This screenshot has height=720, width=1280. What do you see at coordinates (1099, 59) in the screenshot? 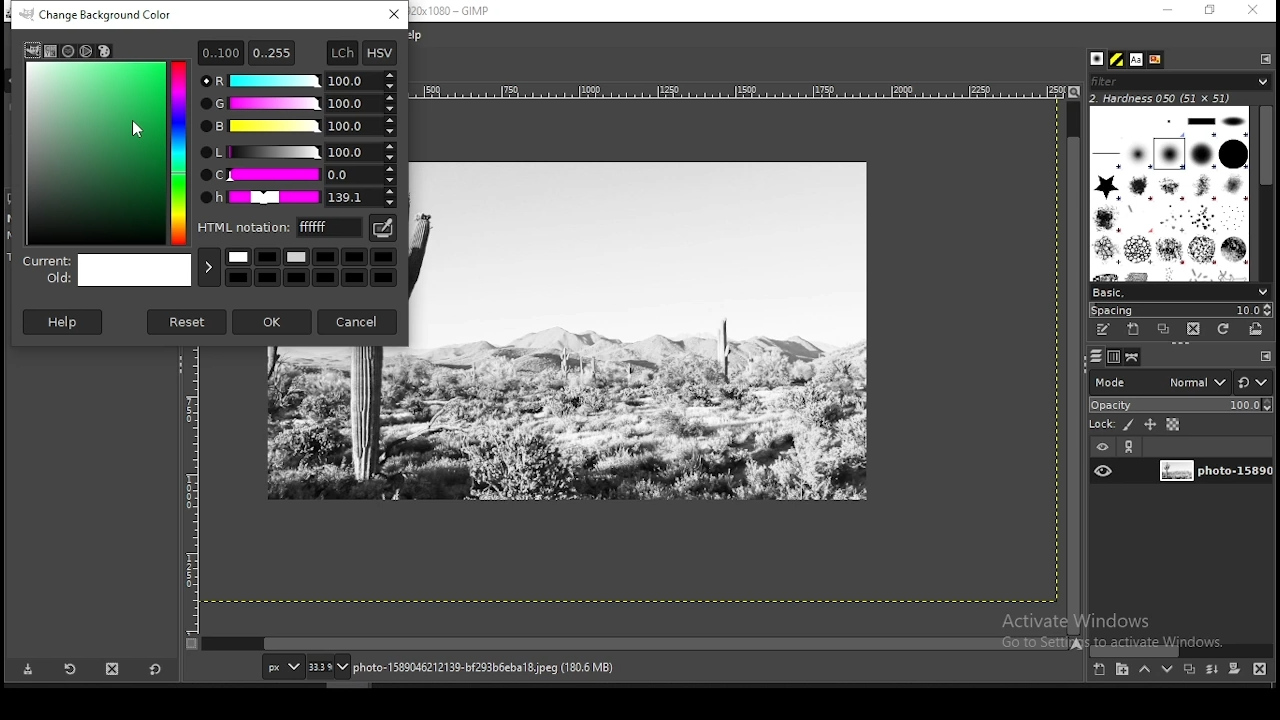
I see `brushes` at bounding box center [1099, 59].